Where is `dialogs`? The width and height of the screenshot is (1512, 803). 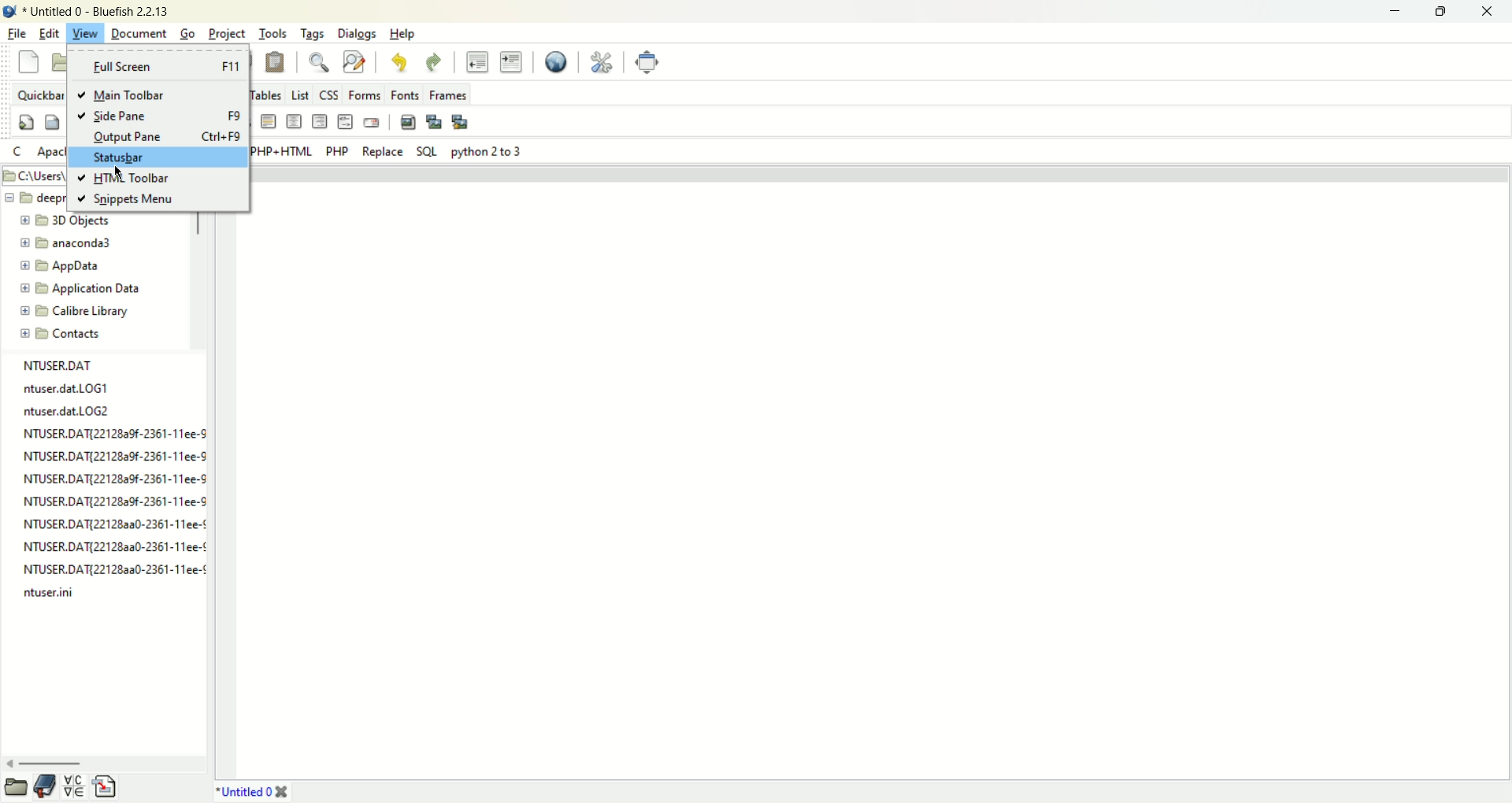
dialogs is located at coordinates (356, 33).